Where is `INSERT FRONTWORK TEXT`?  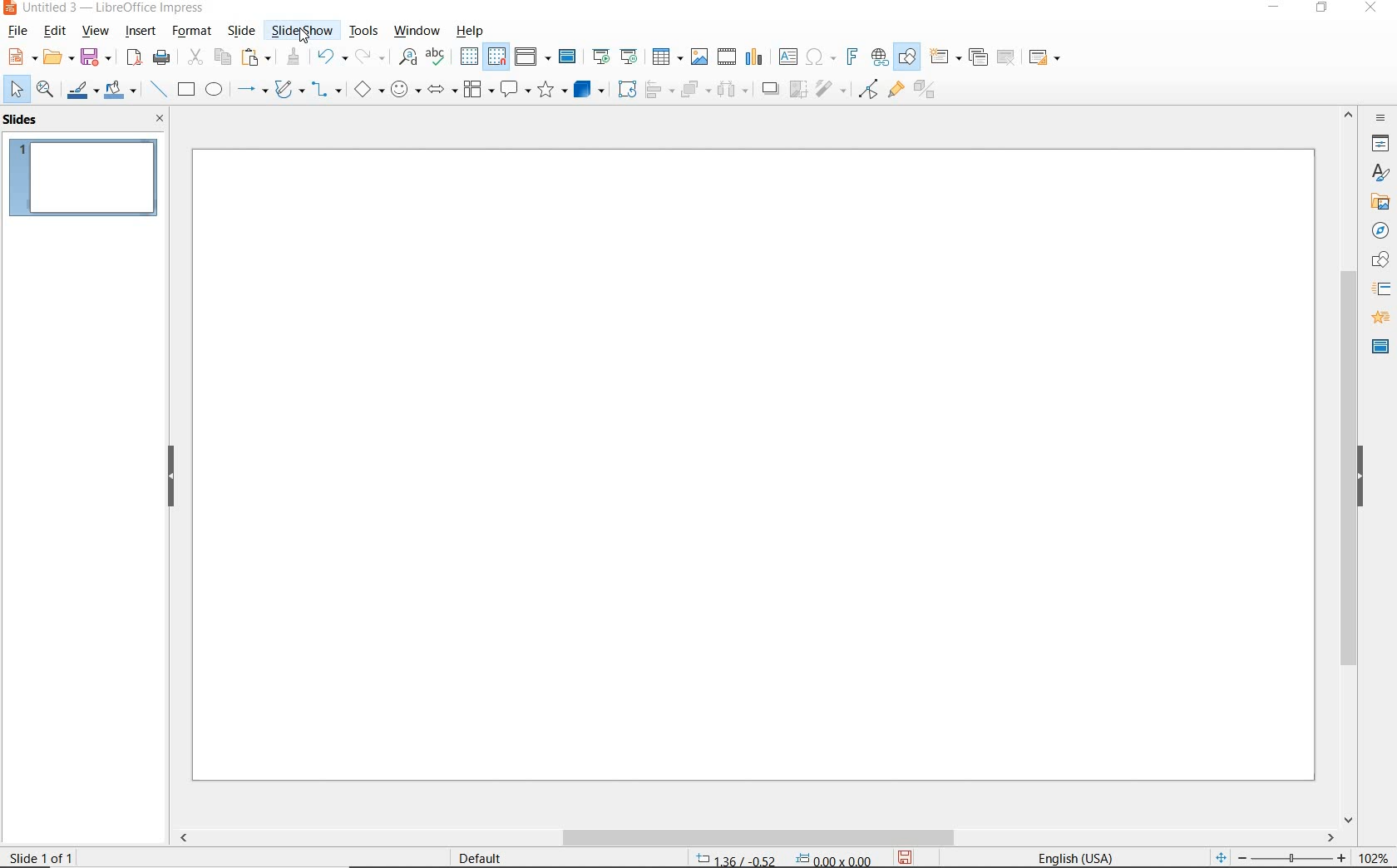
INSERT FRONTWORK TEXT is located at coordinates (850, 55).